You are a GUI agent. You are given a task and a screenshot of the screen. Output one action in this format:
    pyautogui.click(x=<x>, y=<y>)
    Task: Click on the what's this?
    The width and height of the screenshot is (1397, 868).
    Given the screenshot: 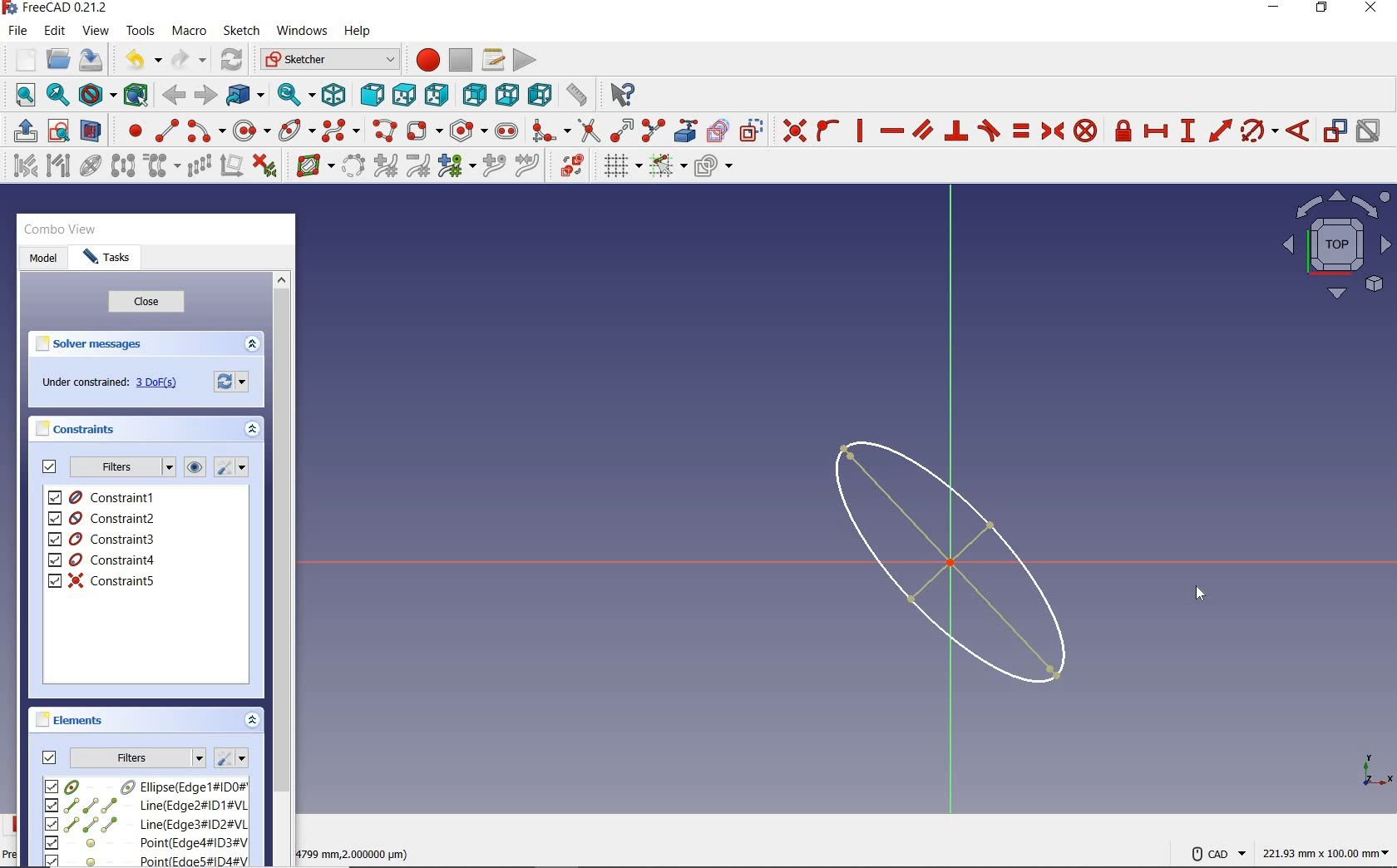 What is the action you would take?
    pyautogui.click(x=620, y=91)
    